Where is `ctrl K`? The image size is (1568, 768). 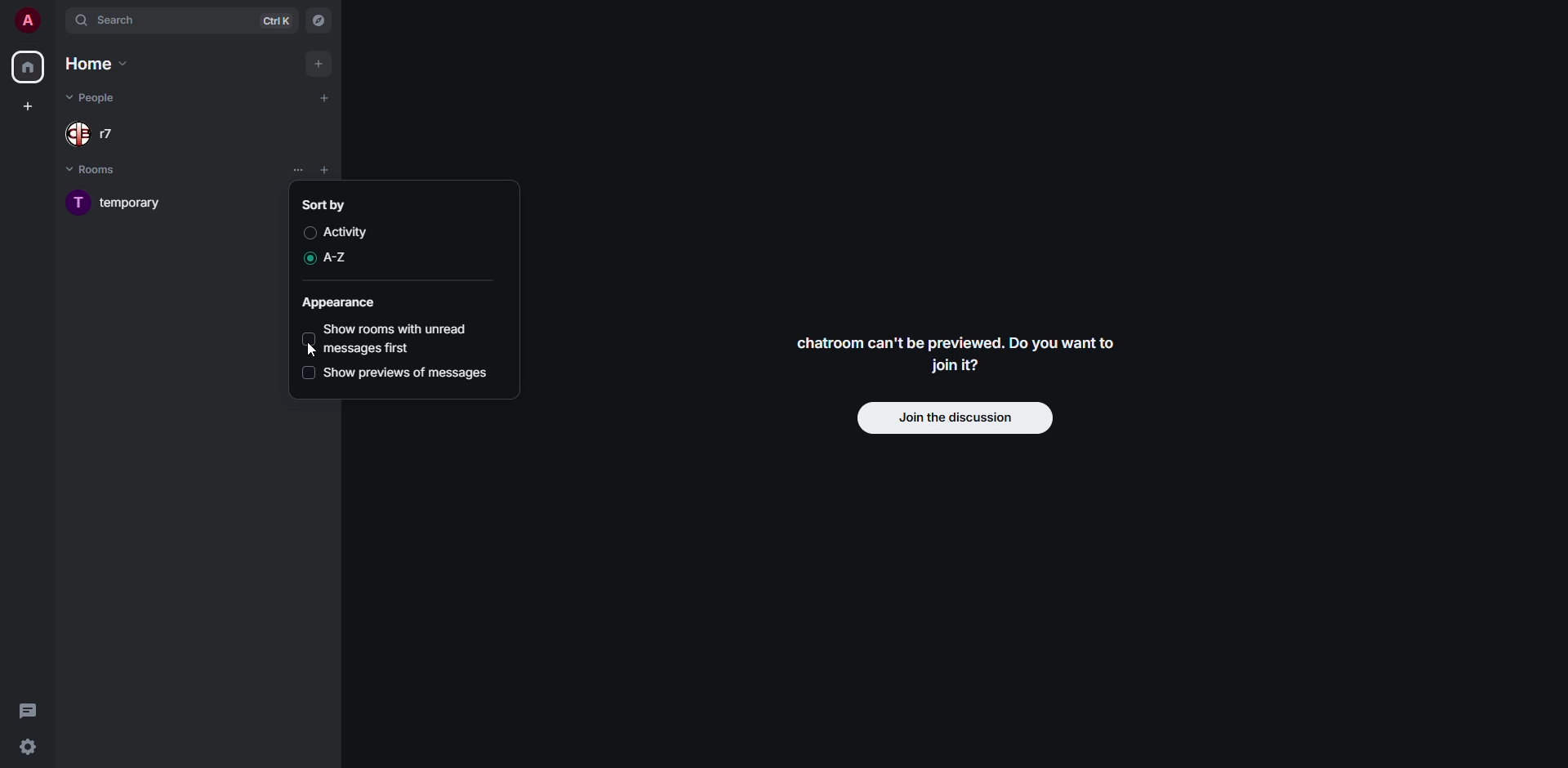 ctrl K is located at coordinates (276, 21).